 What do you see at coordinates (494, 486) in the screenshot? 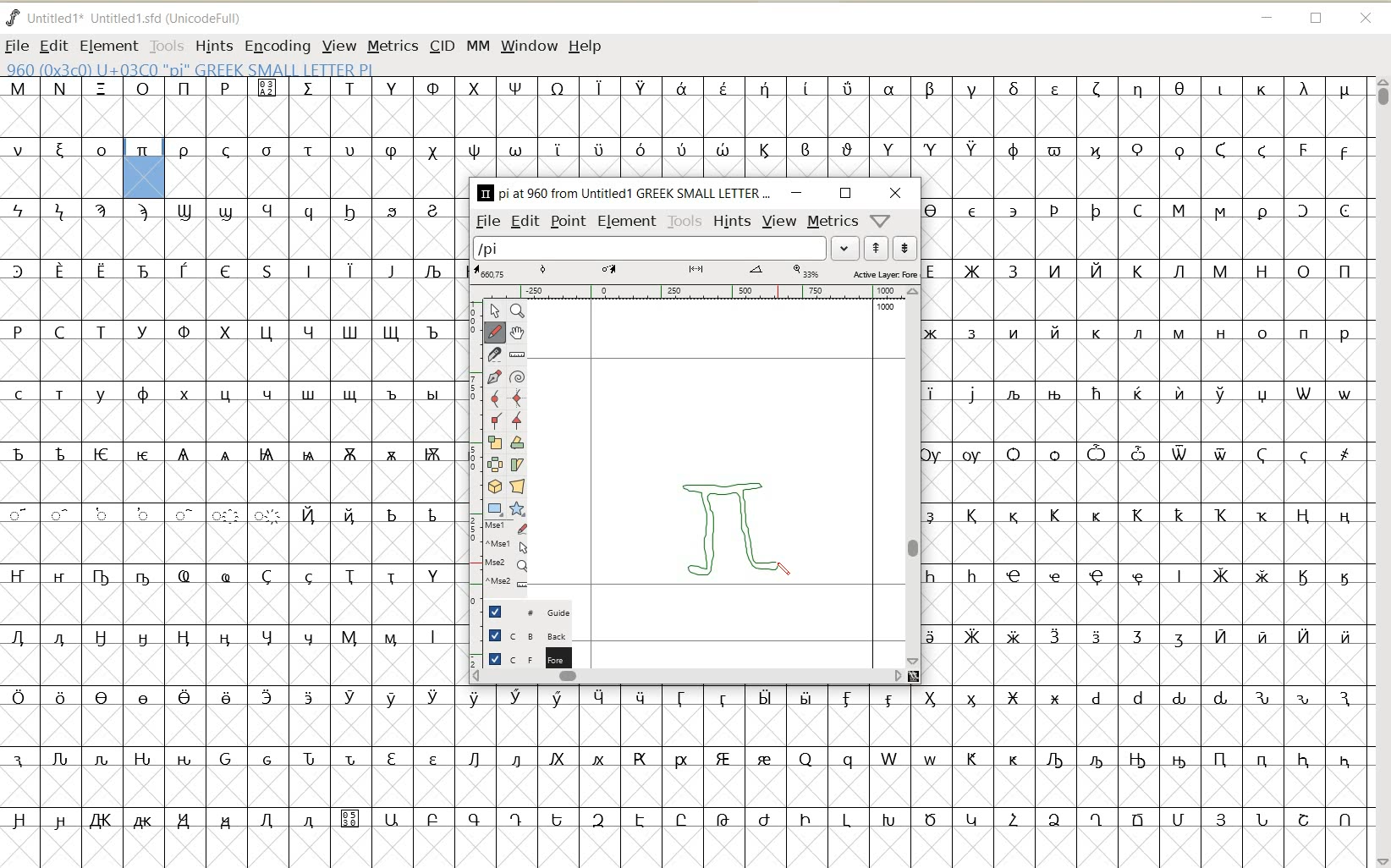
I see `rotate the selection in 3D and project back to plane` at bounding box center [494, 486].